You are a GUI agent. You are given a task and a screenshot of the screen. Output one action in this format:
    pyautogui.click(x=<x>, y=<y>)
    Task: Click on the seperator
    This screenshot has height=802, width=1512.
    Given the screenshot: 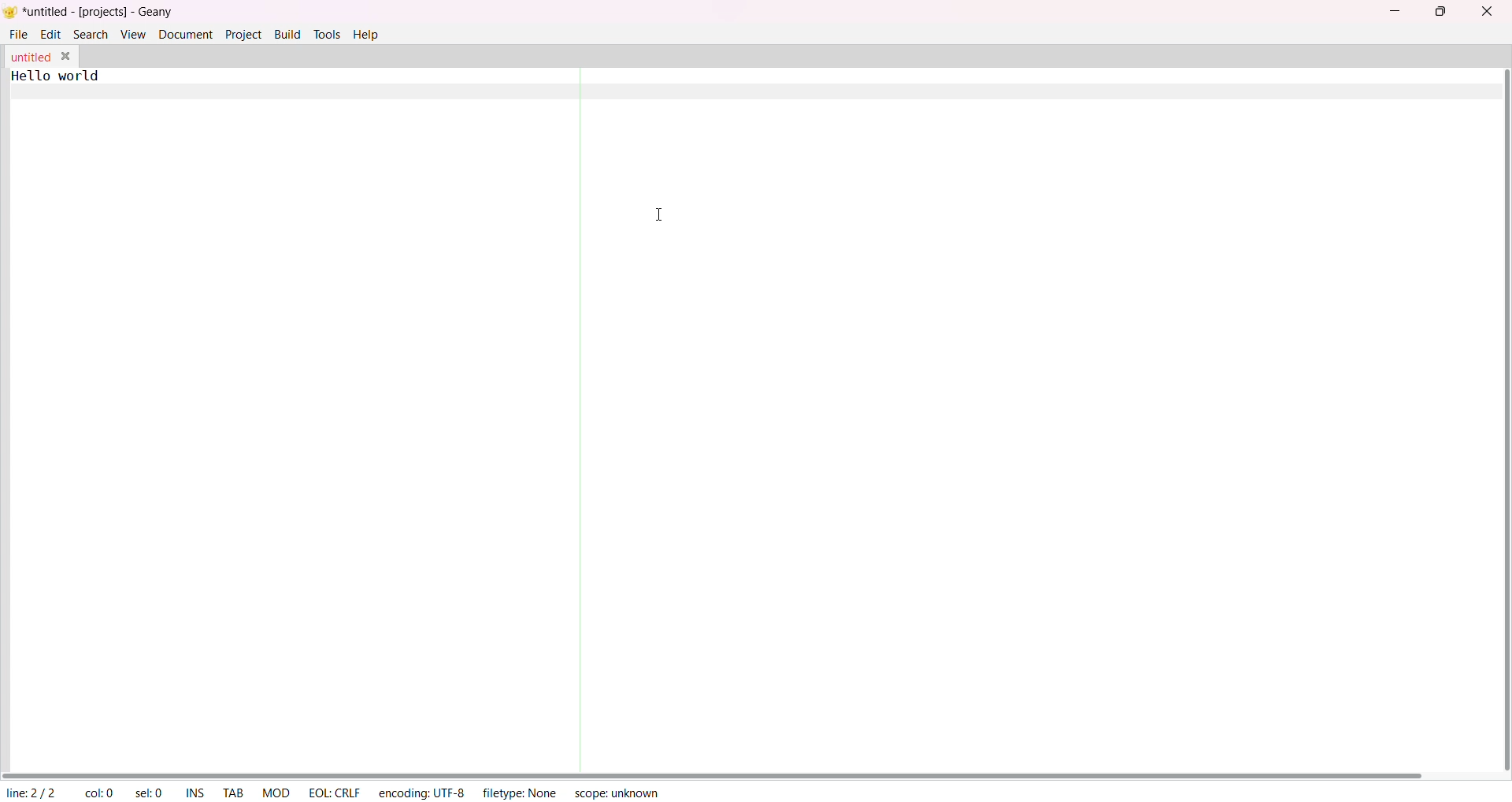 What is the action you would take?
    pyautogui.click(x=577, y=413)
    